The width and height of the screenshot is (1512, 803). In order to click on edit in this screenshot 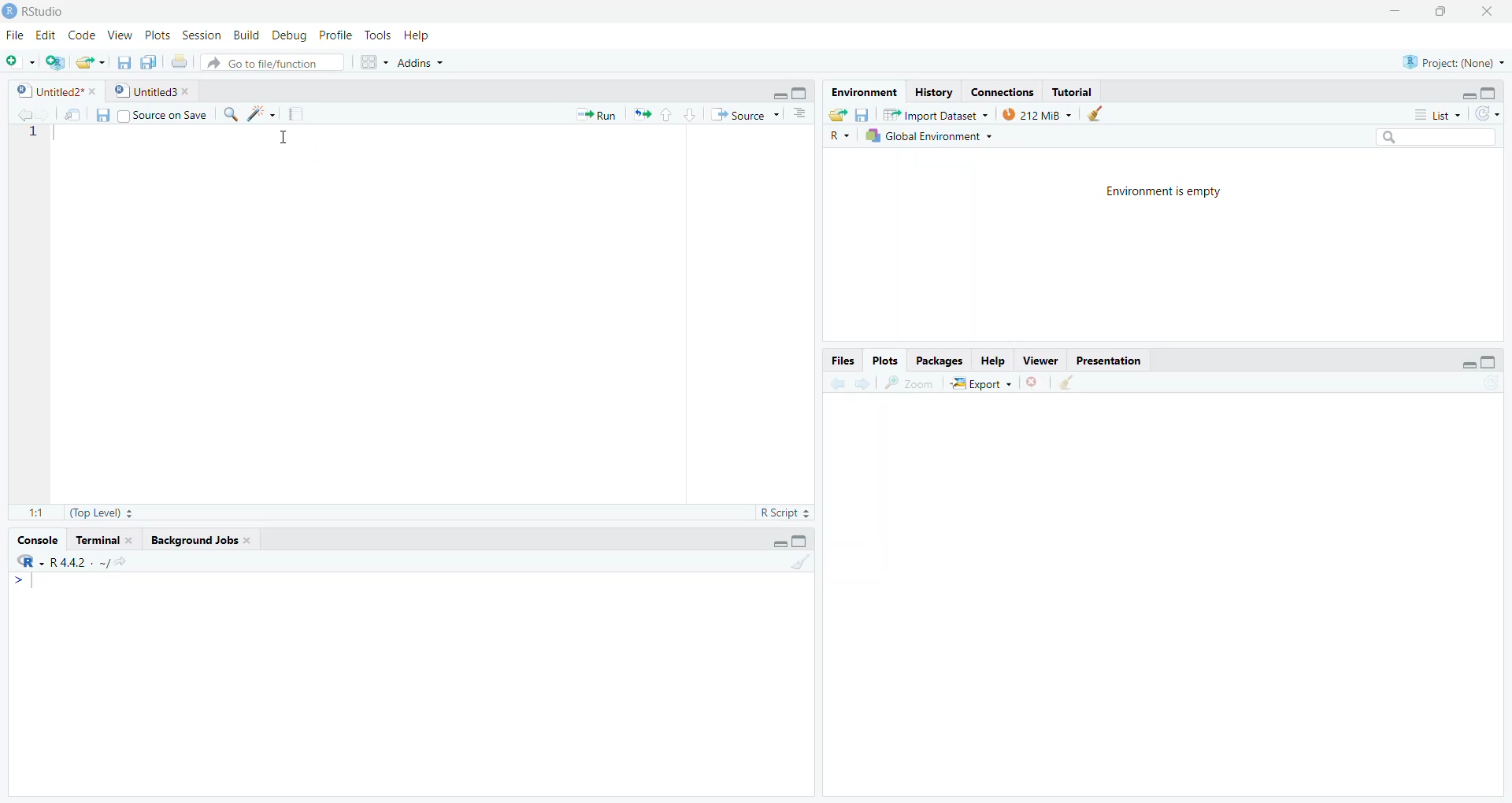, I will do `click(44, 33)`.